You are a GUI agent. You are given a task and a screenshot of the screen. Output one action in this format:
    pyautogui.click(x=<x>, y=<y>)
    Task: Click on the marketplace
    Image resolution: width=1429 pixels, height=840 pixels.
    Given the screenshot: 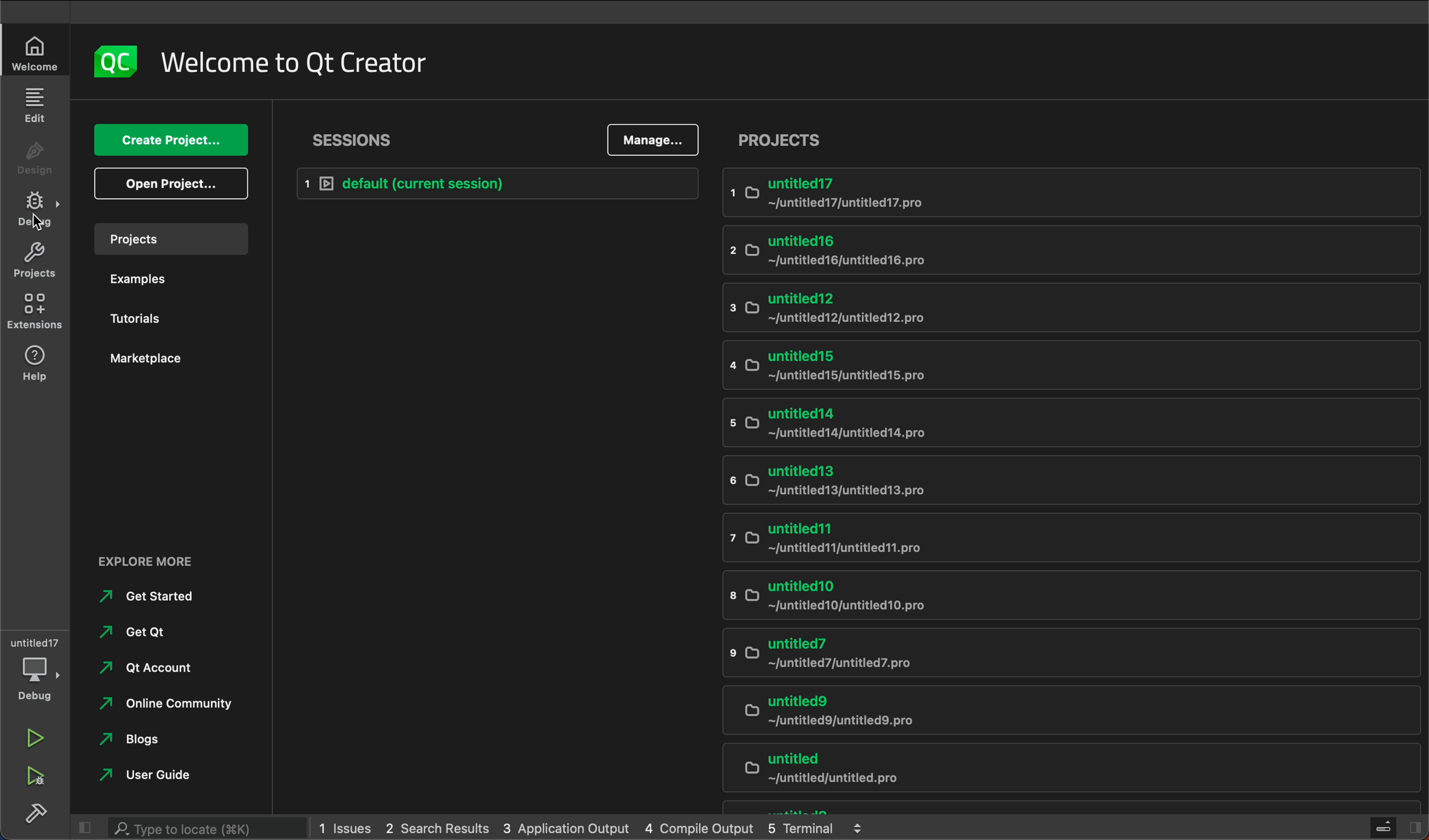 What is the action you would take?
    pyautogui.click(x=175, y=361)
    